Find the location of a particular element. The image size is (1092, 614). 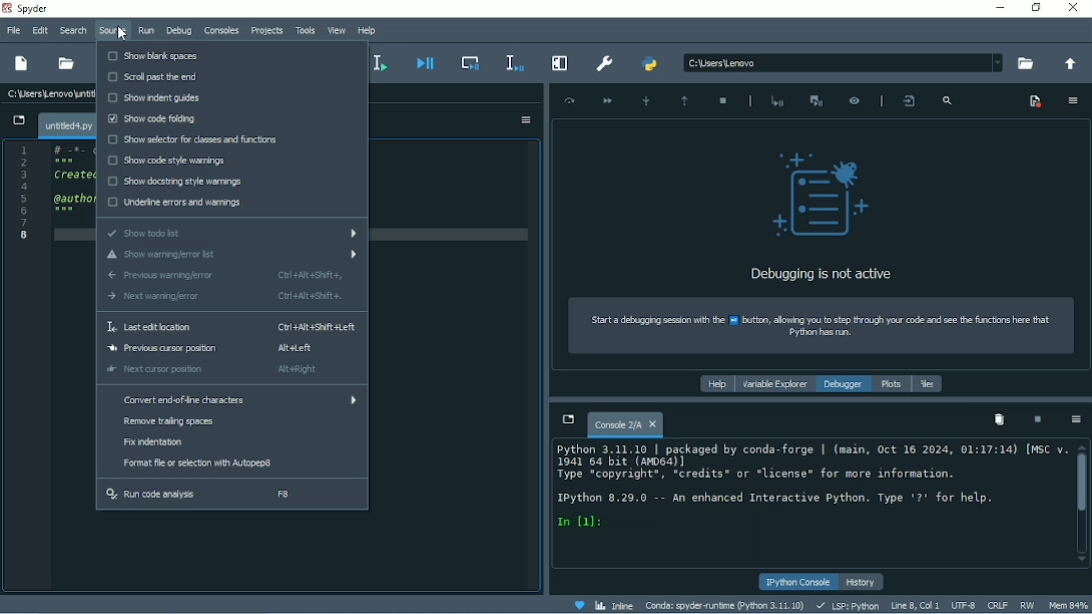

File name tab is located at coordinates (65, 126).